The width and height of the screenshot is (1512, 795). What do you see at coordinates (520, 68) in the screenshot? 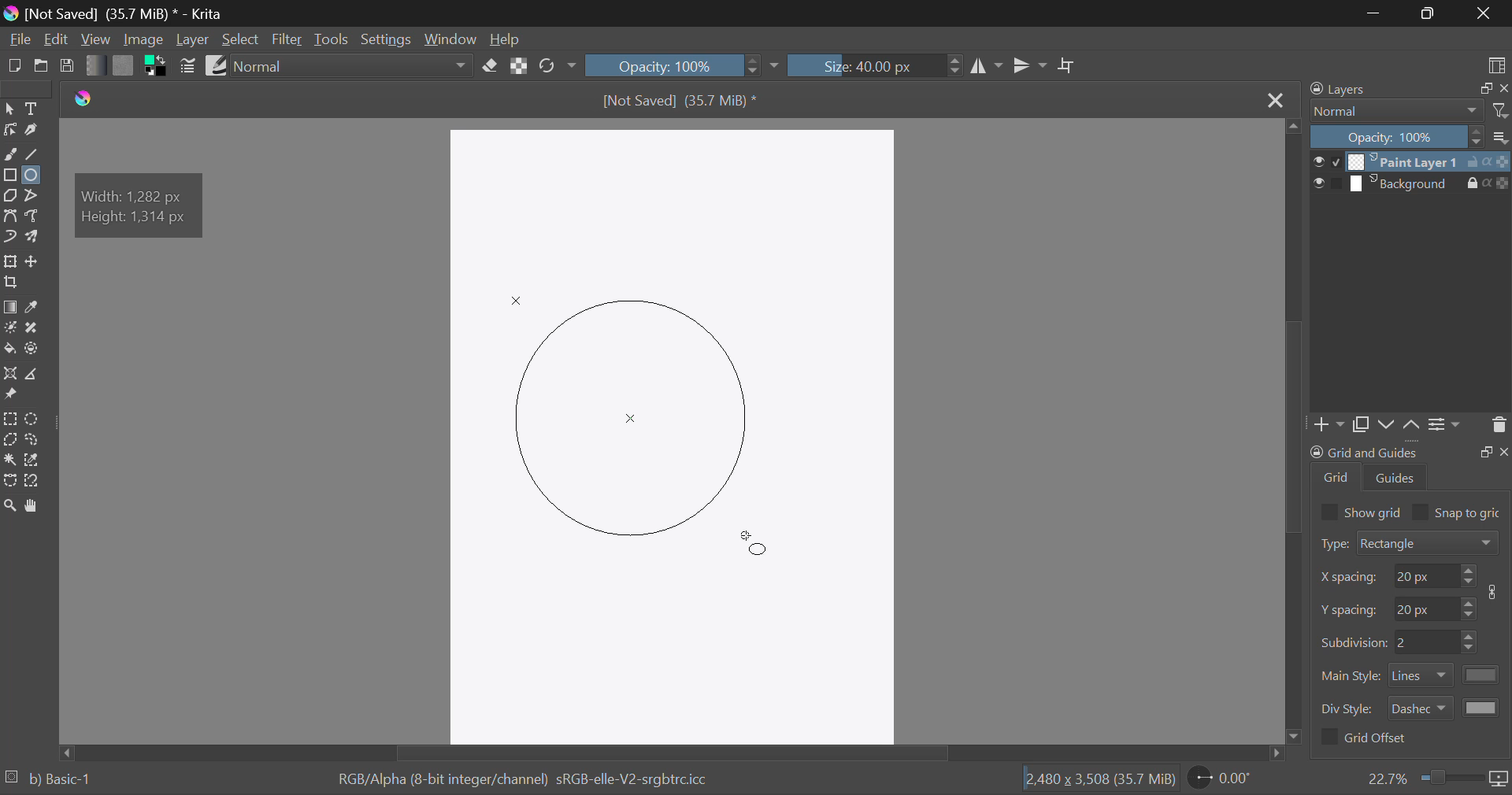
I see `Lock Alpha` at bounding box center [520, 68].